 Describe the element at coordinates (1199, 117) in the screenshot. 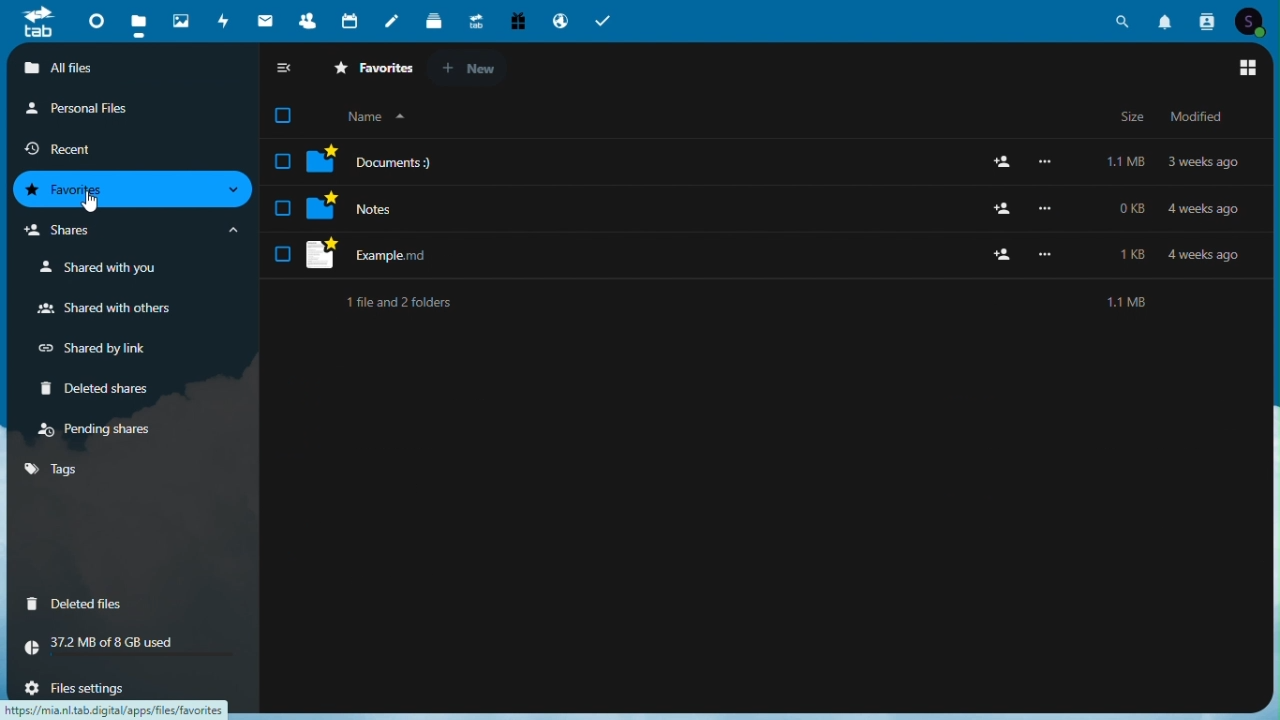

I see `Modified` at that location.